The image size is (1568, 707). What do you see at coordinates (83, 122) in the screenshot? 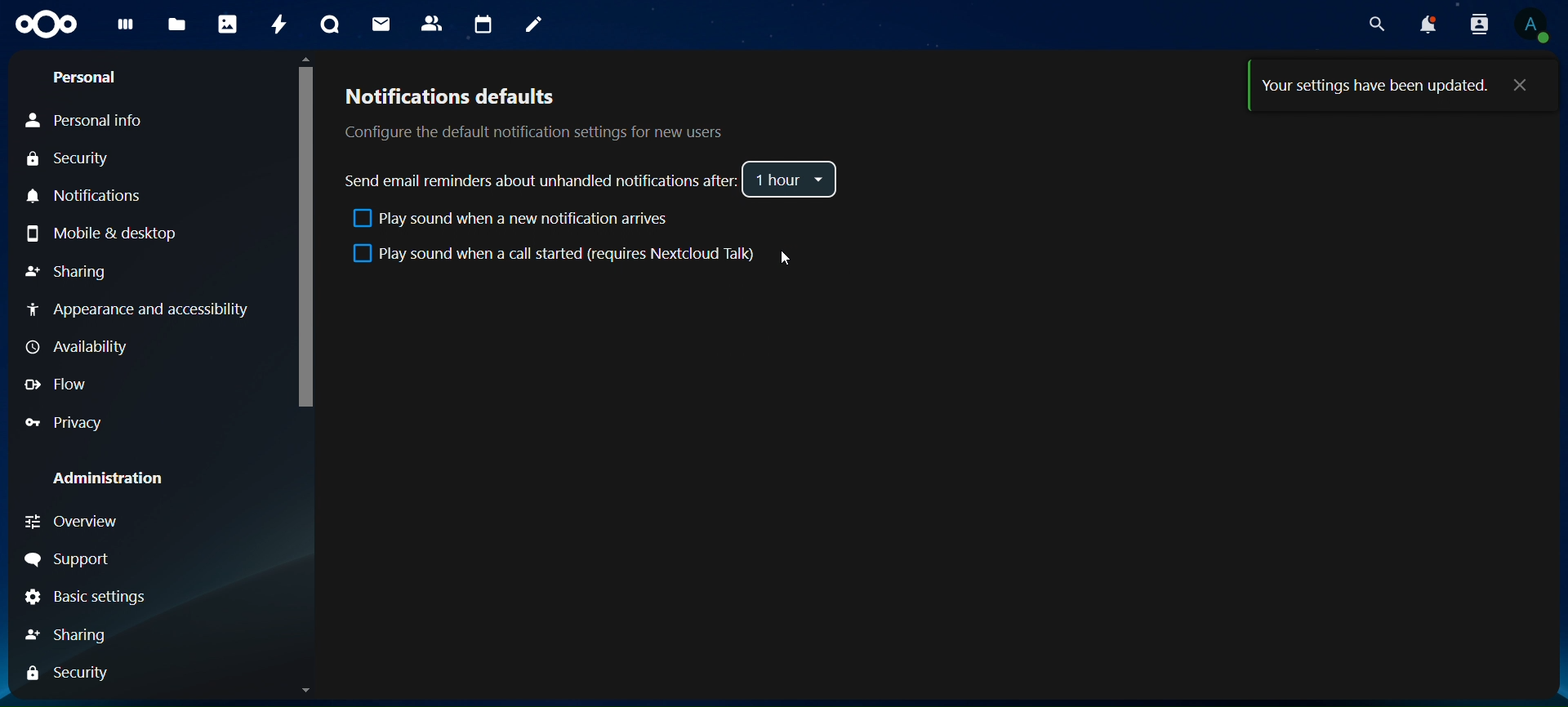
I see `Personal Info` at bounding box center [83, 122].